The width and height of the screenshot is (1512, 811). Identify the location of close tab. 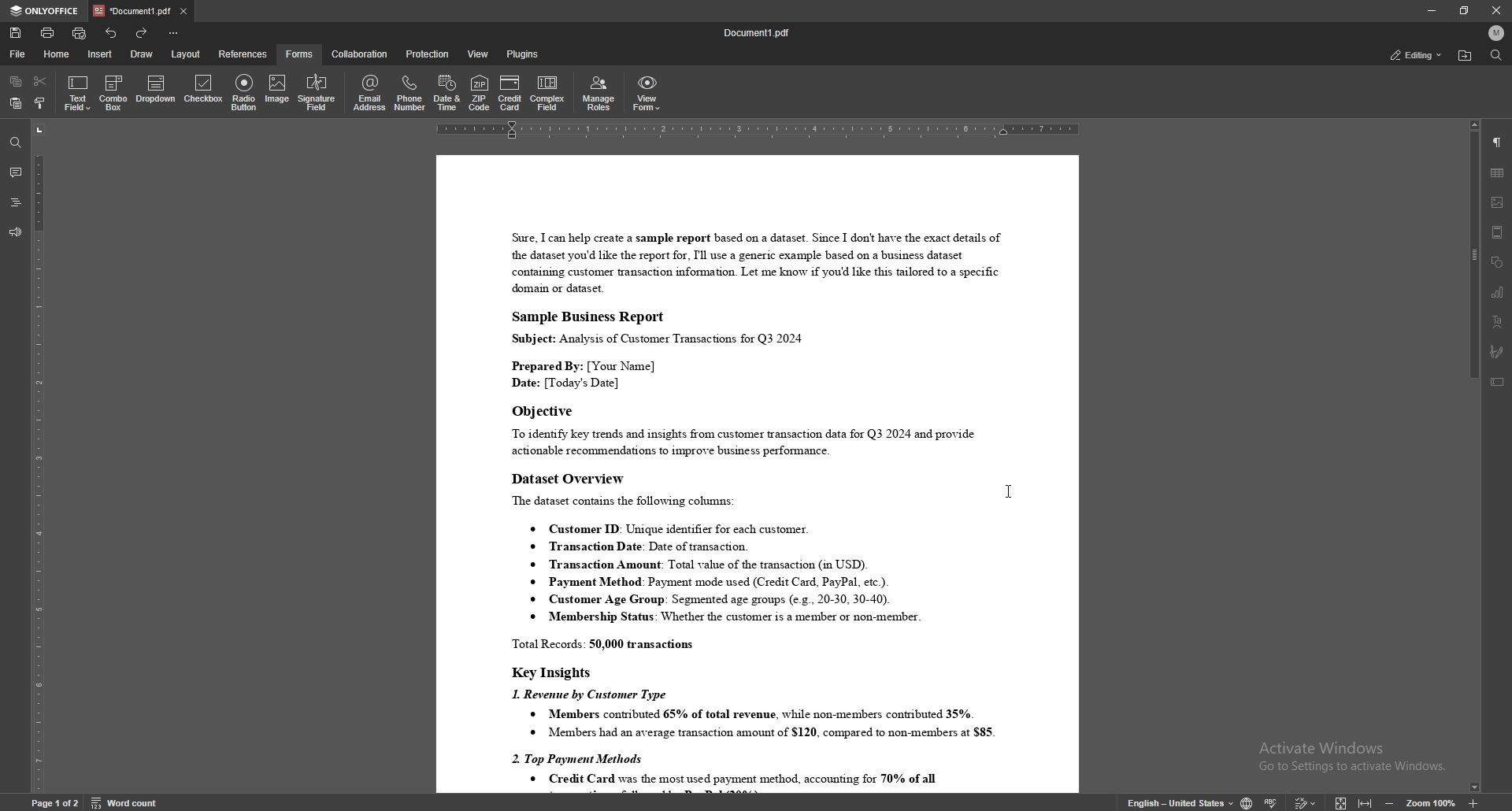
(183, 10).